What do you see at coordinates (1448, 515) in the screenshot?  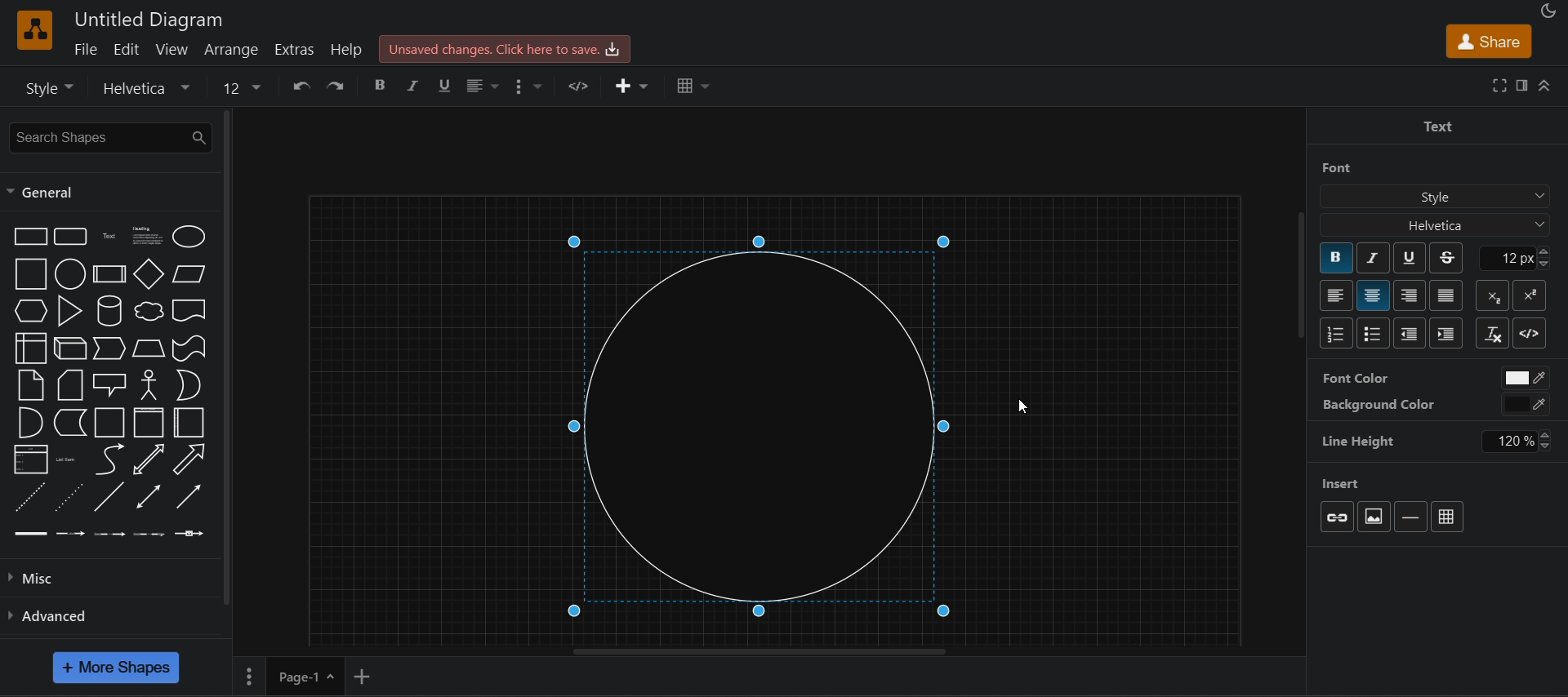 I see `table` at bounding box center [1448, 515].